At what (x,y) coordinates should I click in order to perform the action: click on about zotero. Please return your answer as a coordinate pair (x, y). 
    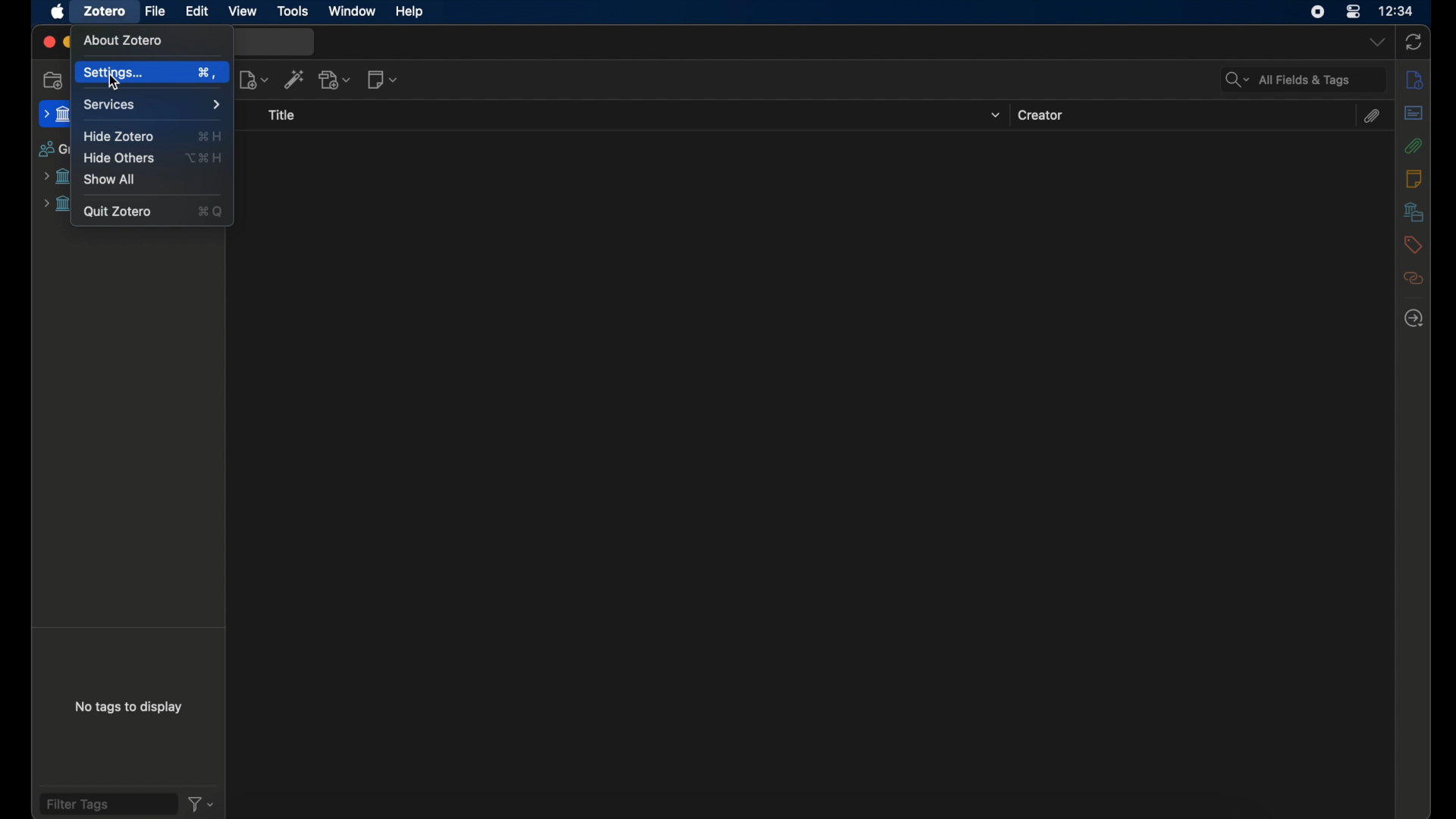
    Looking at the image, I should click on (125, 41).